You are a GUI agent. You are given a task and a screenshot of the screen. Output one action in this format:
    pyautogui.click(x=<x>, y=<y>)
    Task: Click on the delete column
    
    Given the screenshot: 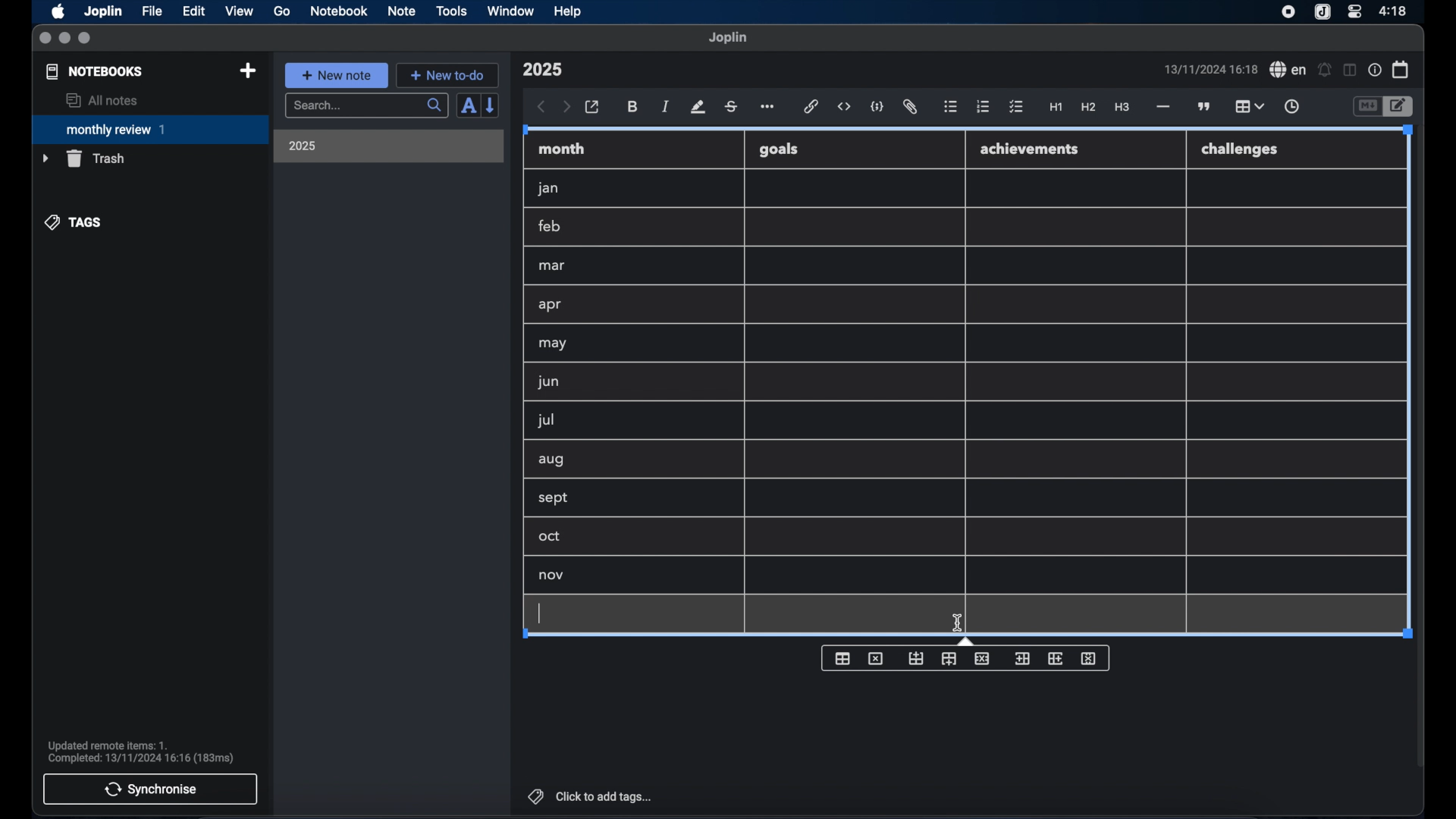 What is the action you would take?
    pyautogui.click(x=1091, y=657)
    